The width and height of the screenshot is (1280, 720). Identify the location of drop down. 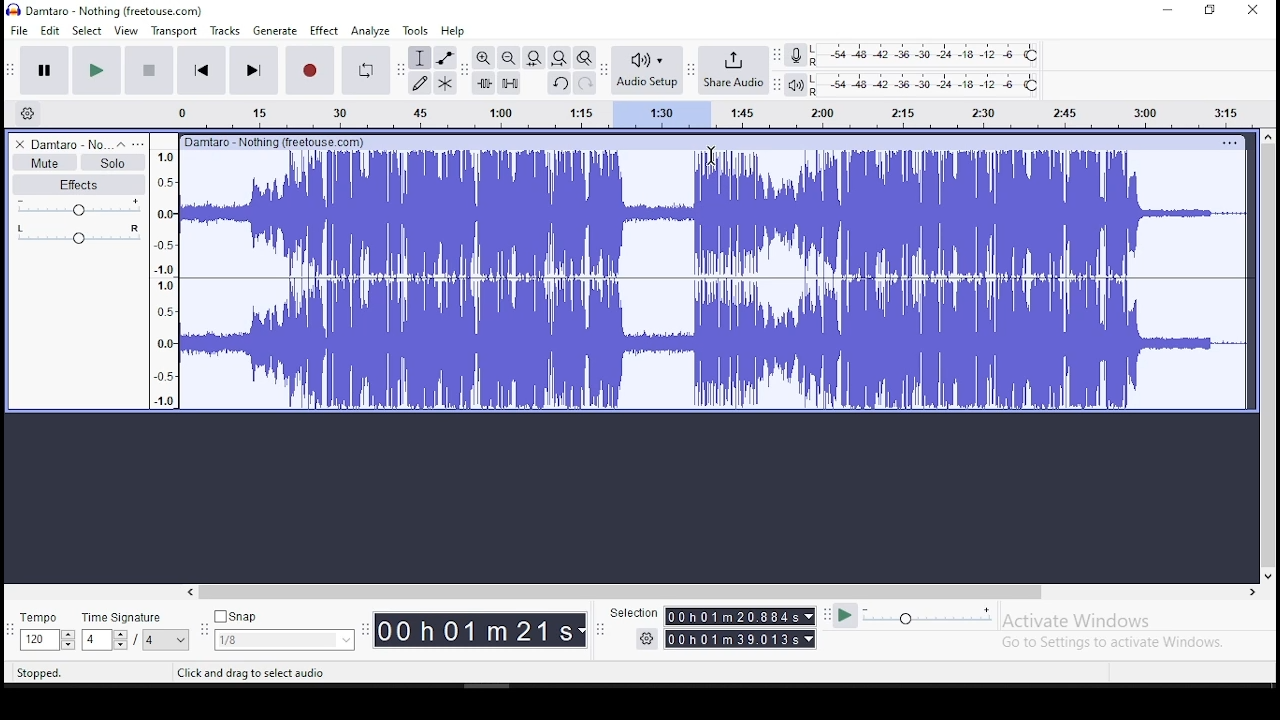
(807, 616).